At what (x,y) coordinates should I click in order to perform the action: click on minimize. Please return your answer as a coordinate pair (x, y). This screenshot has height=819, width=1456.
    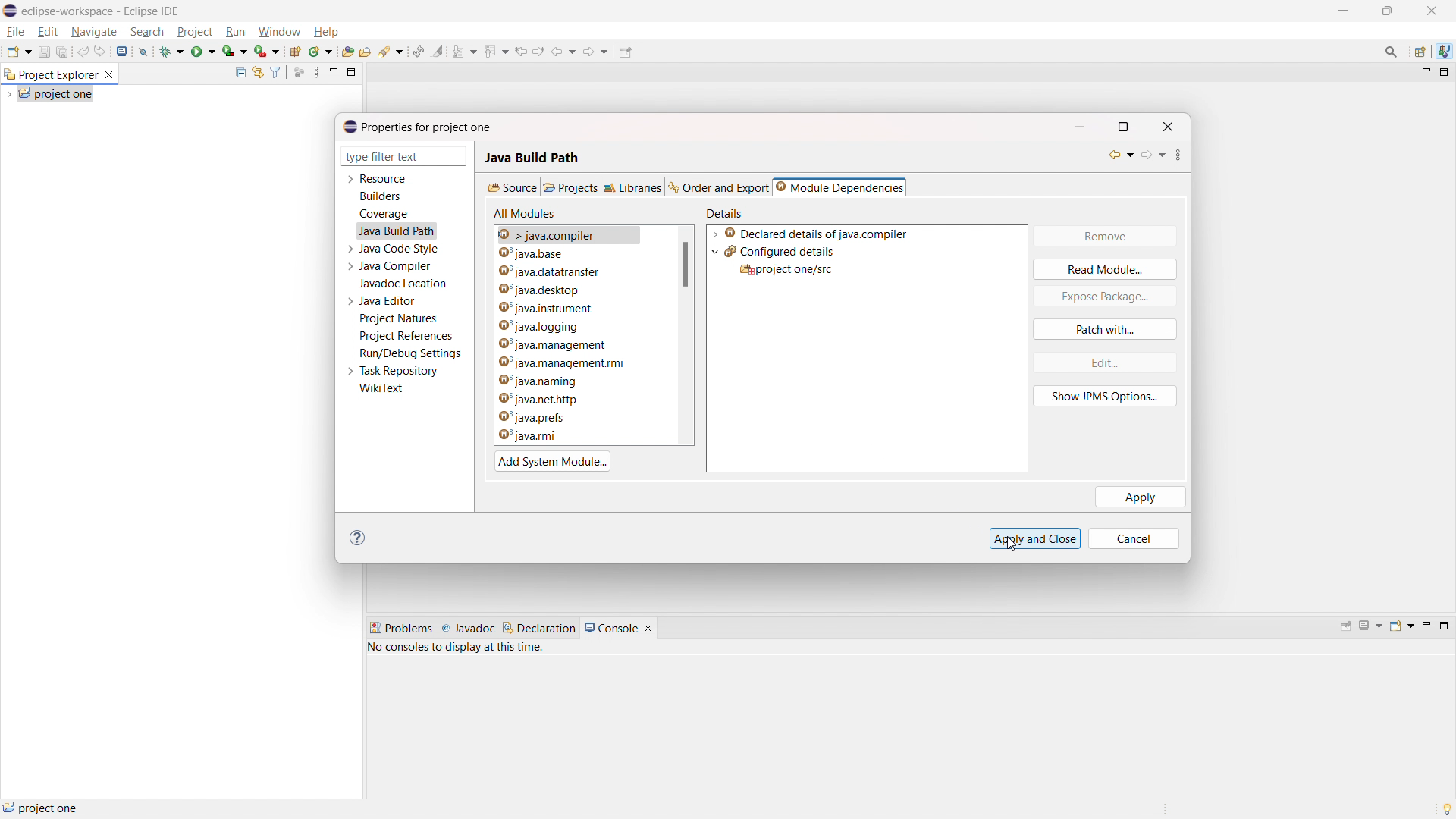
    Looking at the image, I should click on (334, 72).